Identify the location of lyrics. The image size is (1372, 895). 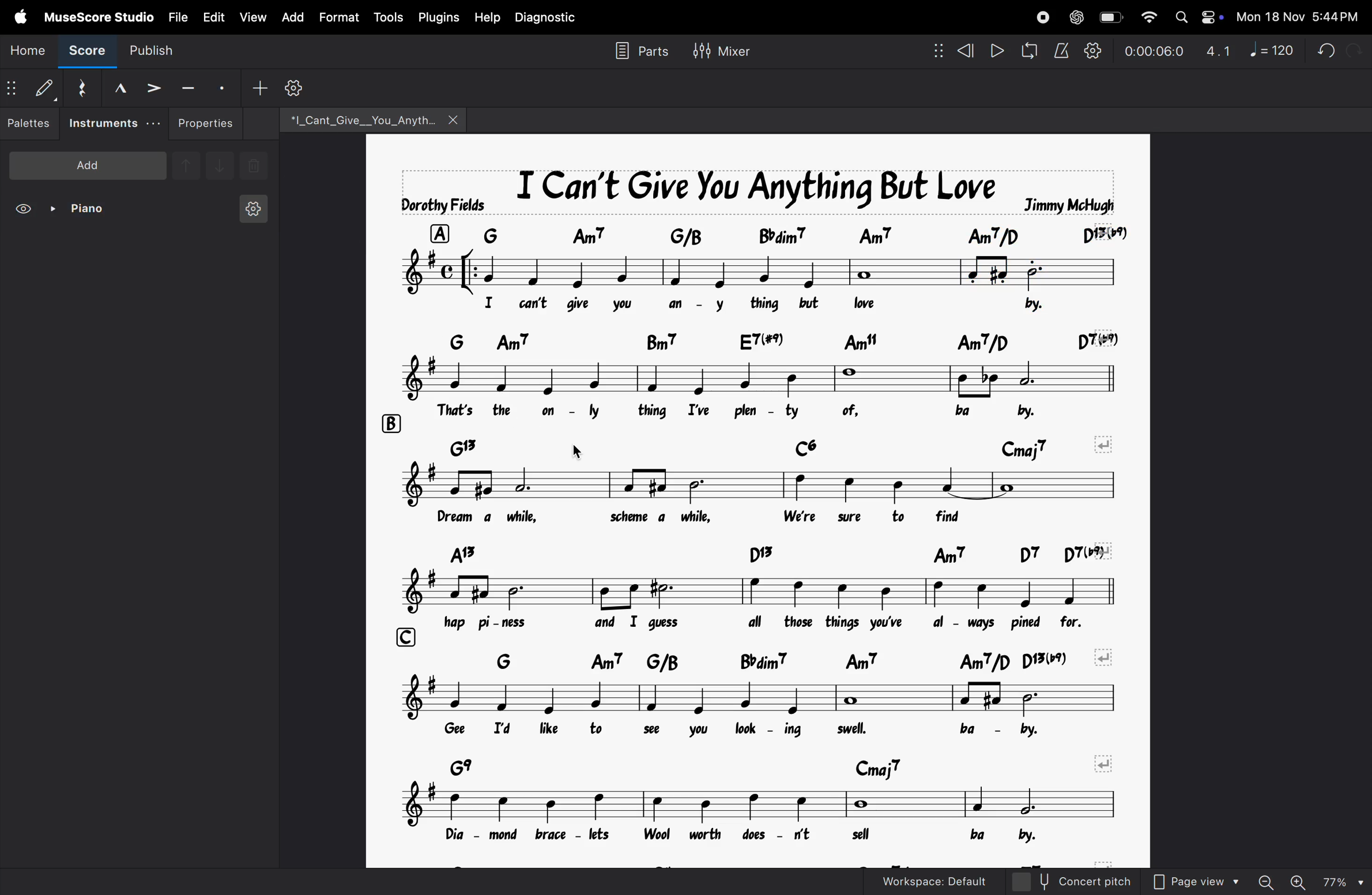
(756, 622).